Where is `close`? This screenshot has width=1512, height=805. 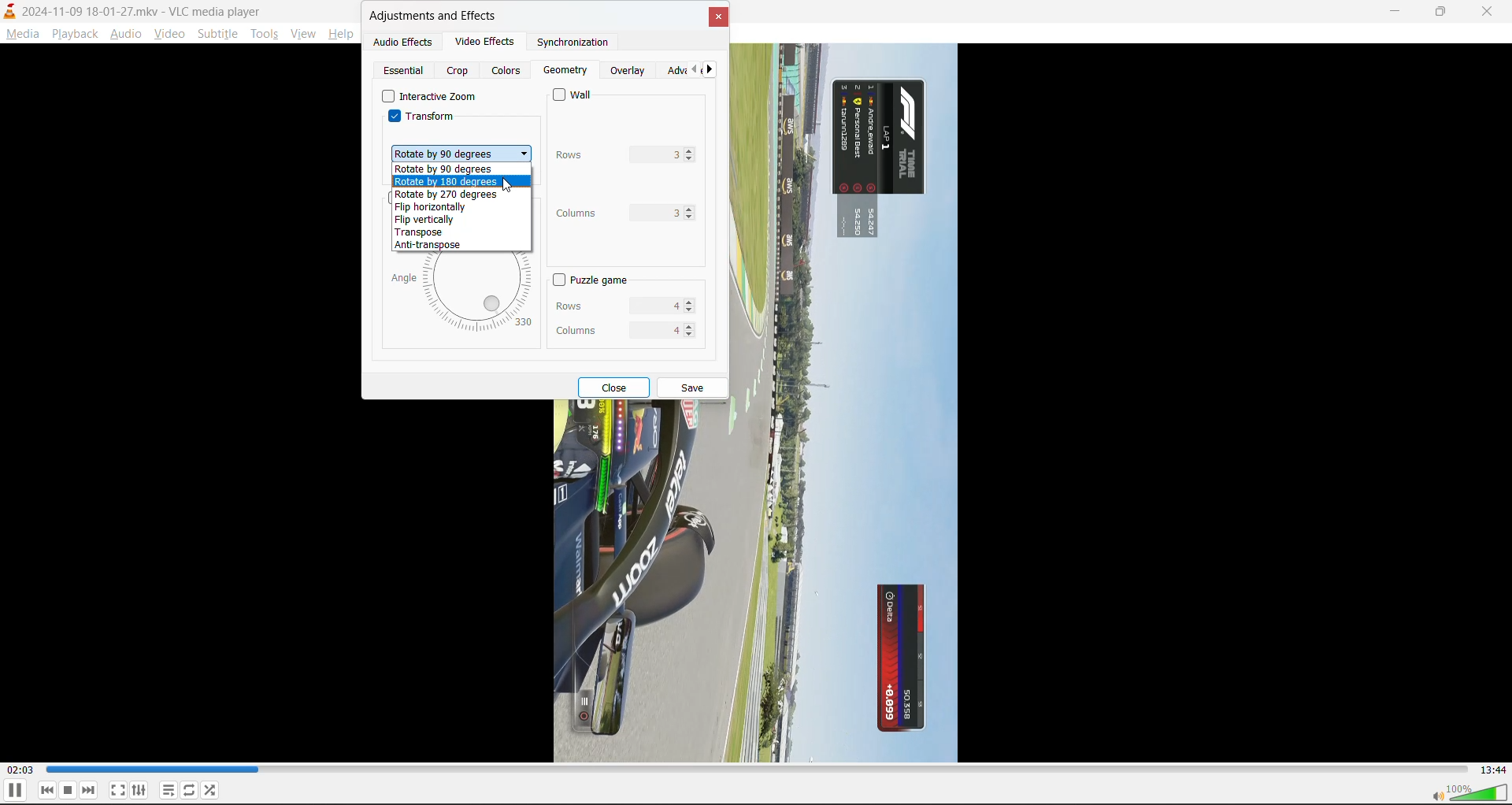 close is located at coordinates (1489, 12).